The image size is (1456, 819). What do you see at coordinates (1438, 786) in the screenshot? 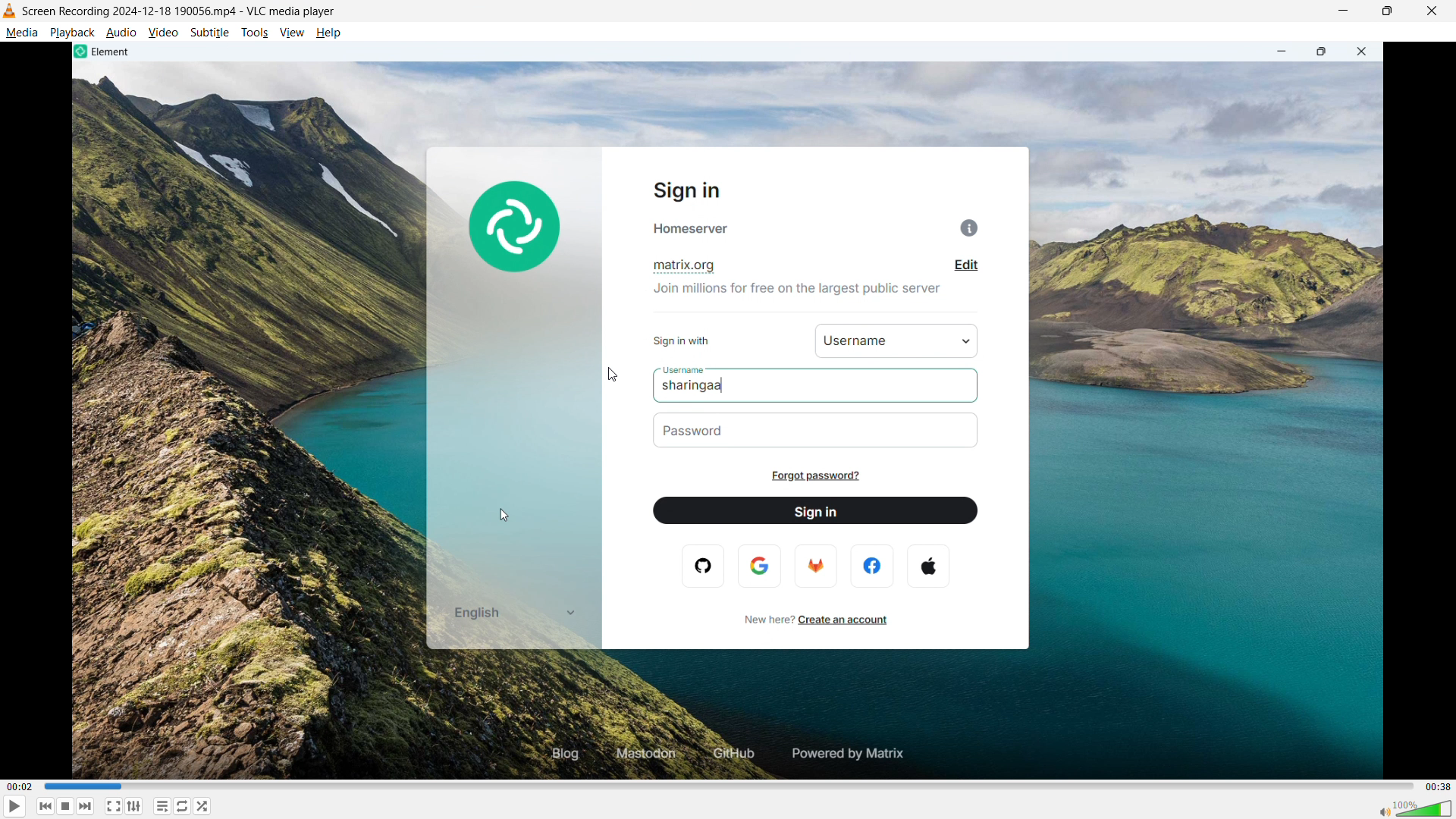
I see `00:38` at bounding box center [1438, 786].